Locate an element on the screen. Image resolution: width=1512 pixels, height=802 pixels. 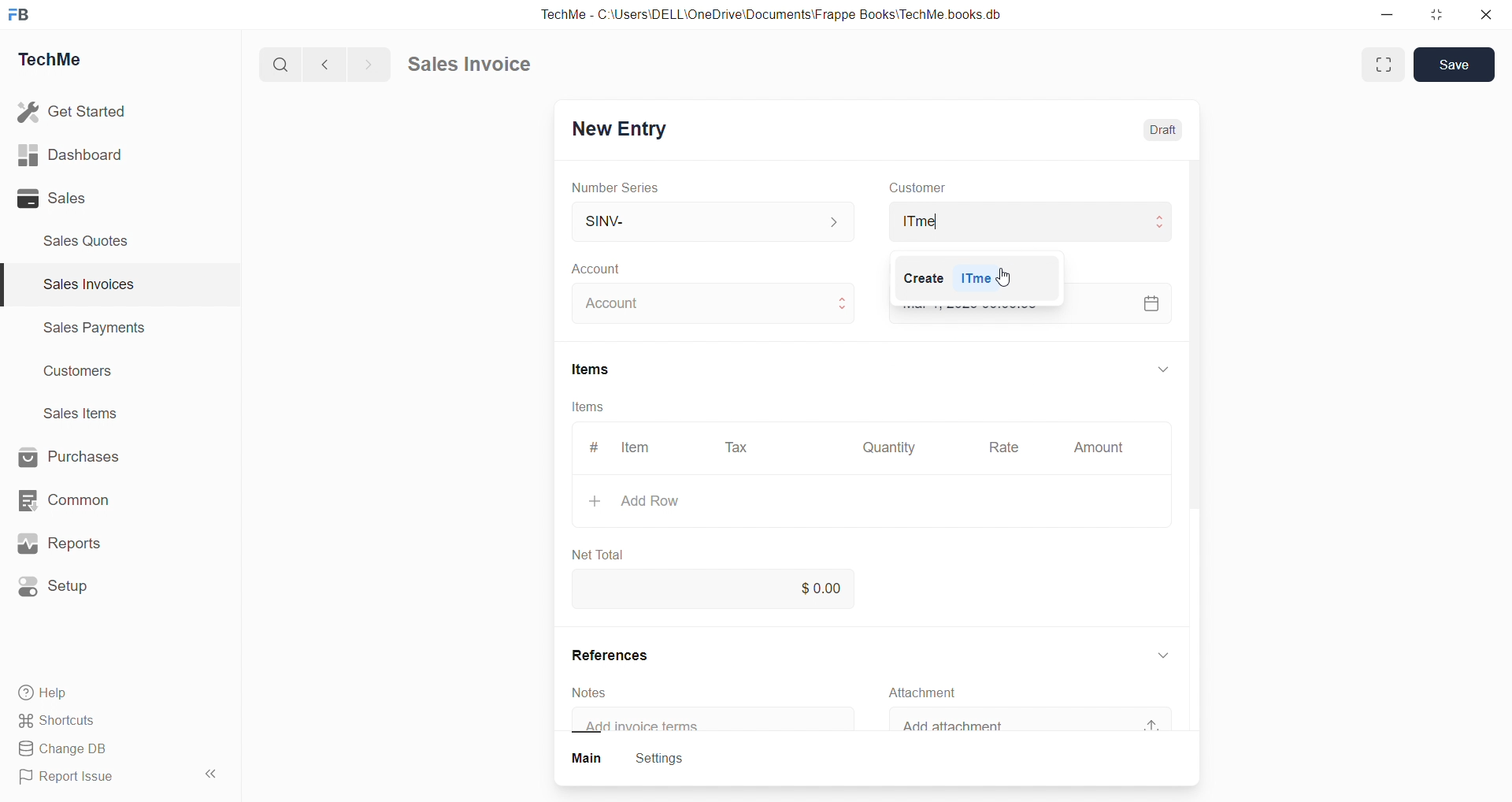
Calendar is located at coordinates (1150, 302).